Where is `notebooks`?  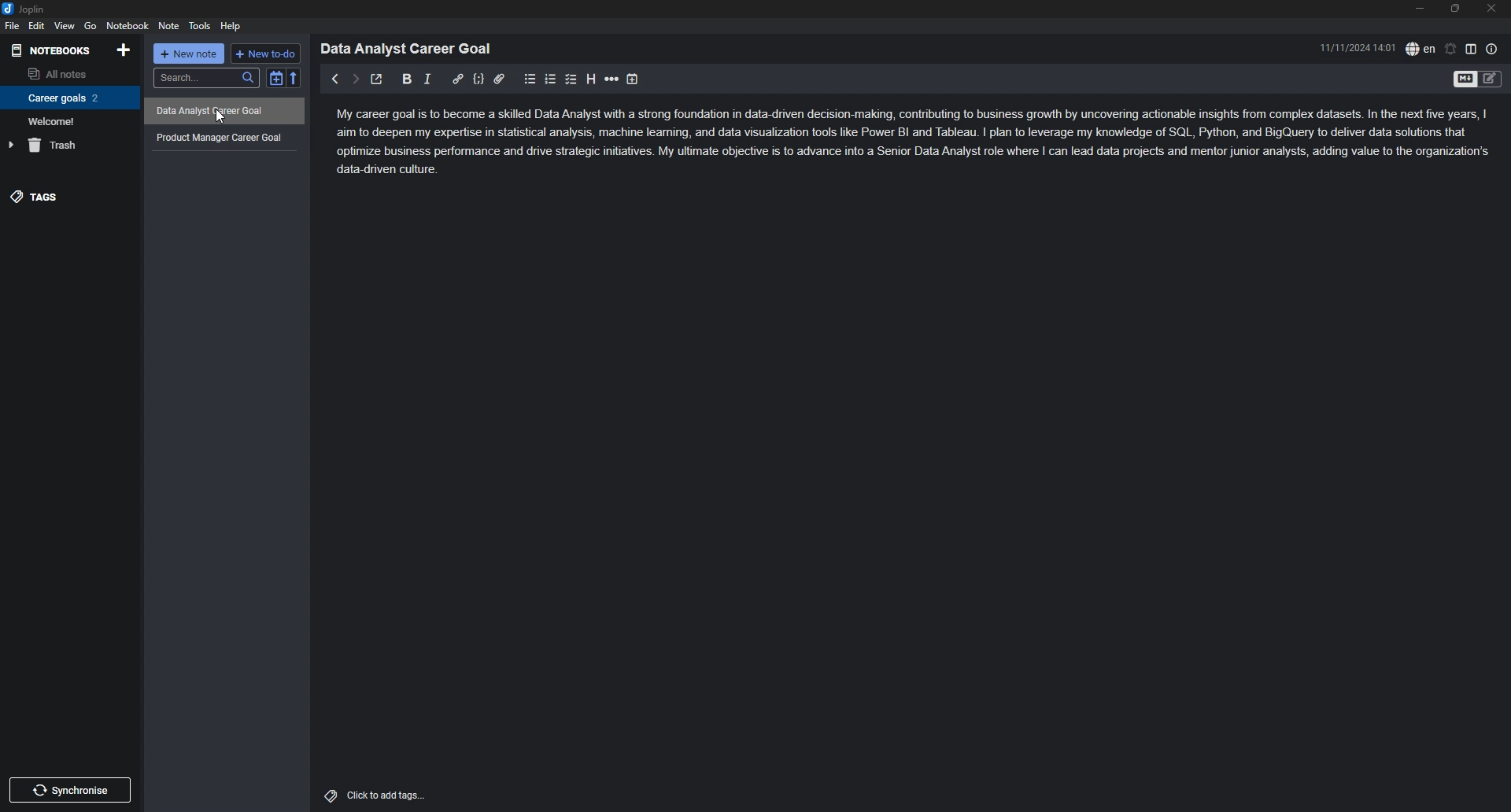 notebooks is located at coordinates (53, 51).